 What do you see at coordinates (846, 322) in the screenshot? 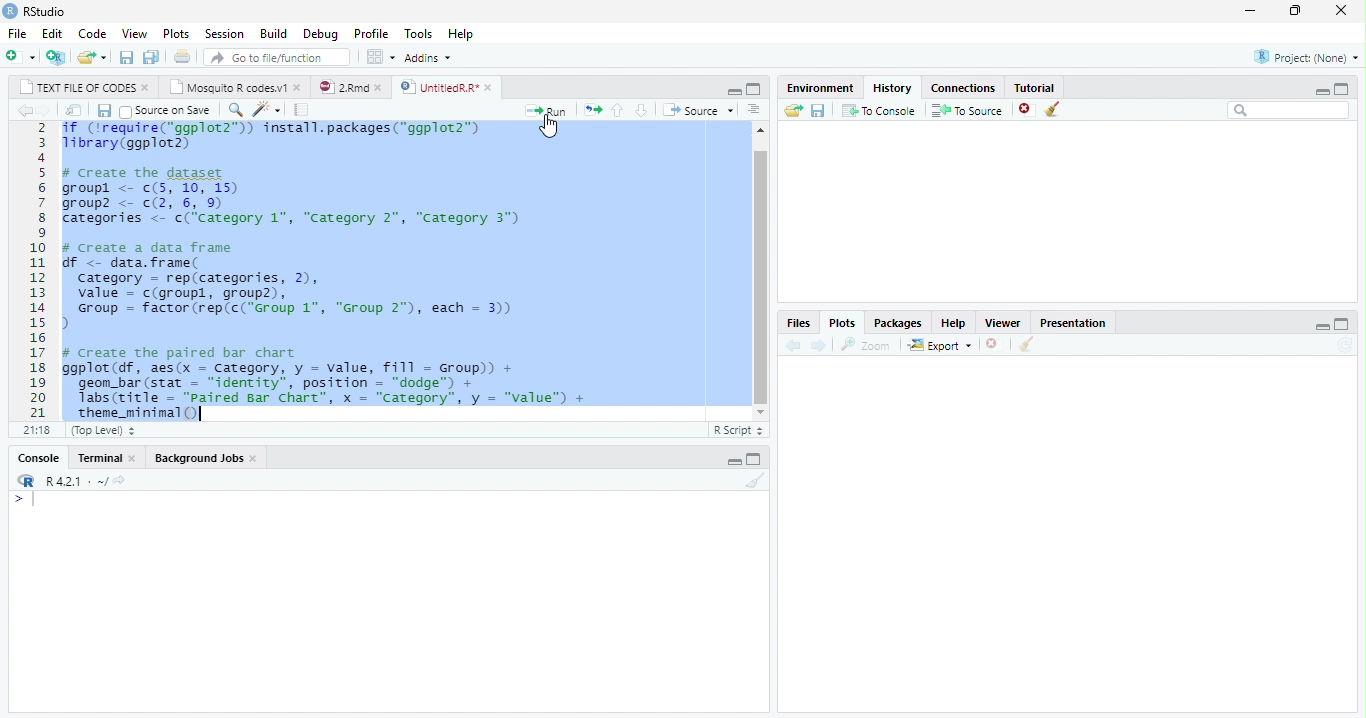
I see `plots` at bounding box center [846, 322].